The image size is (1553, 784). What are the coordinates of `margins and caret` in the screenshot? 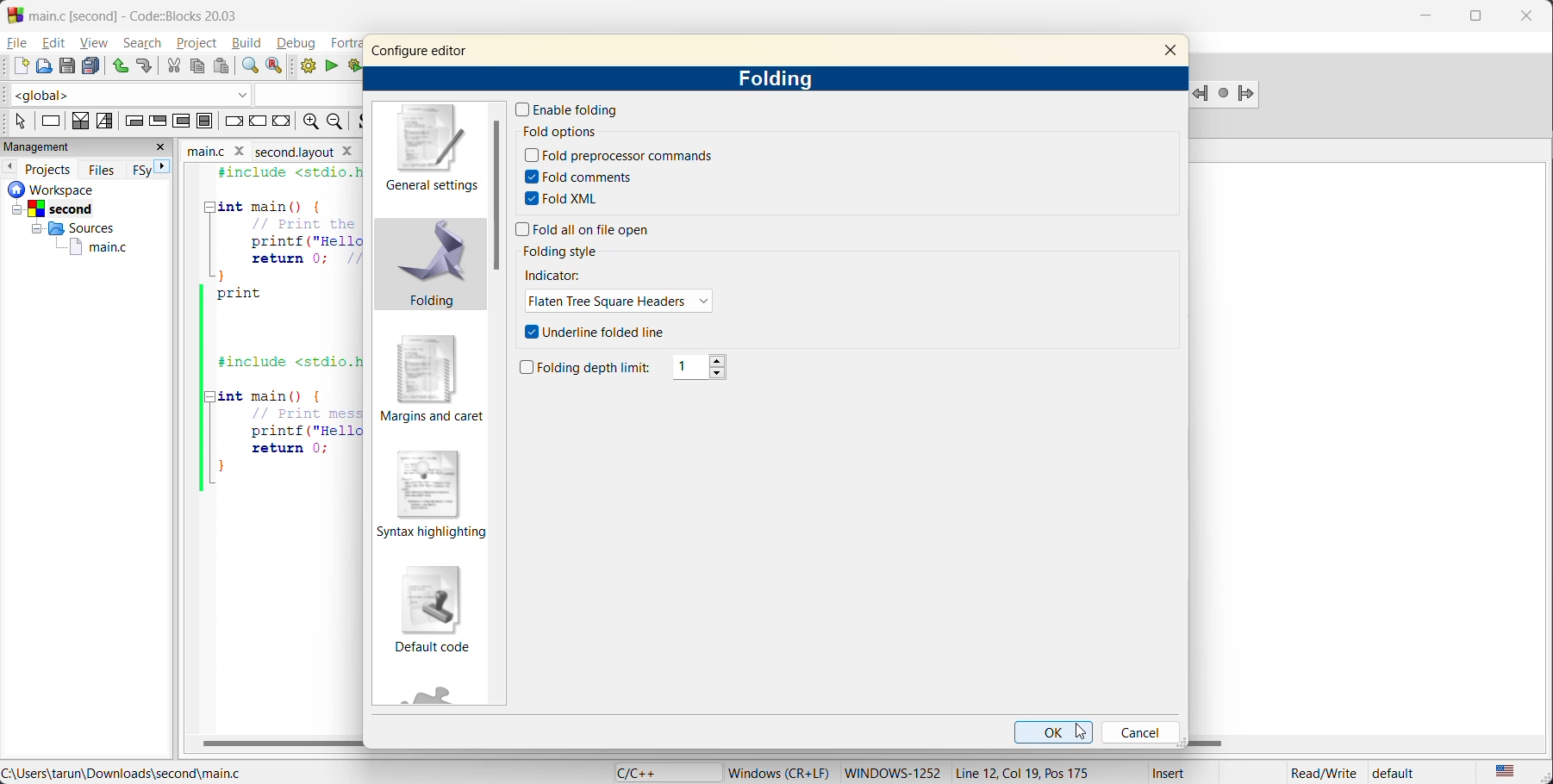 It's located at (434, 377).